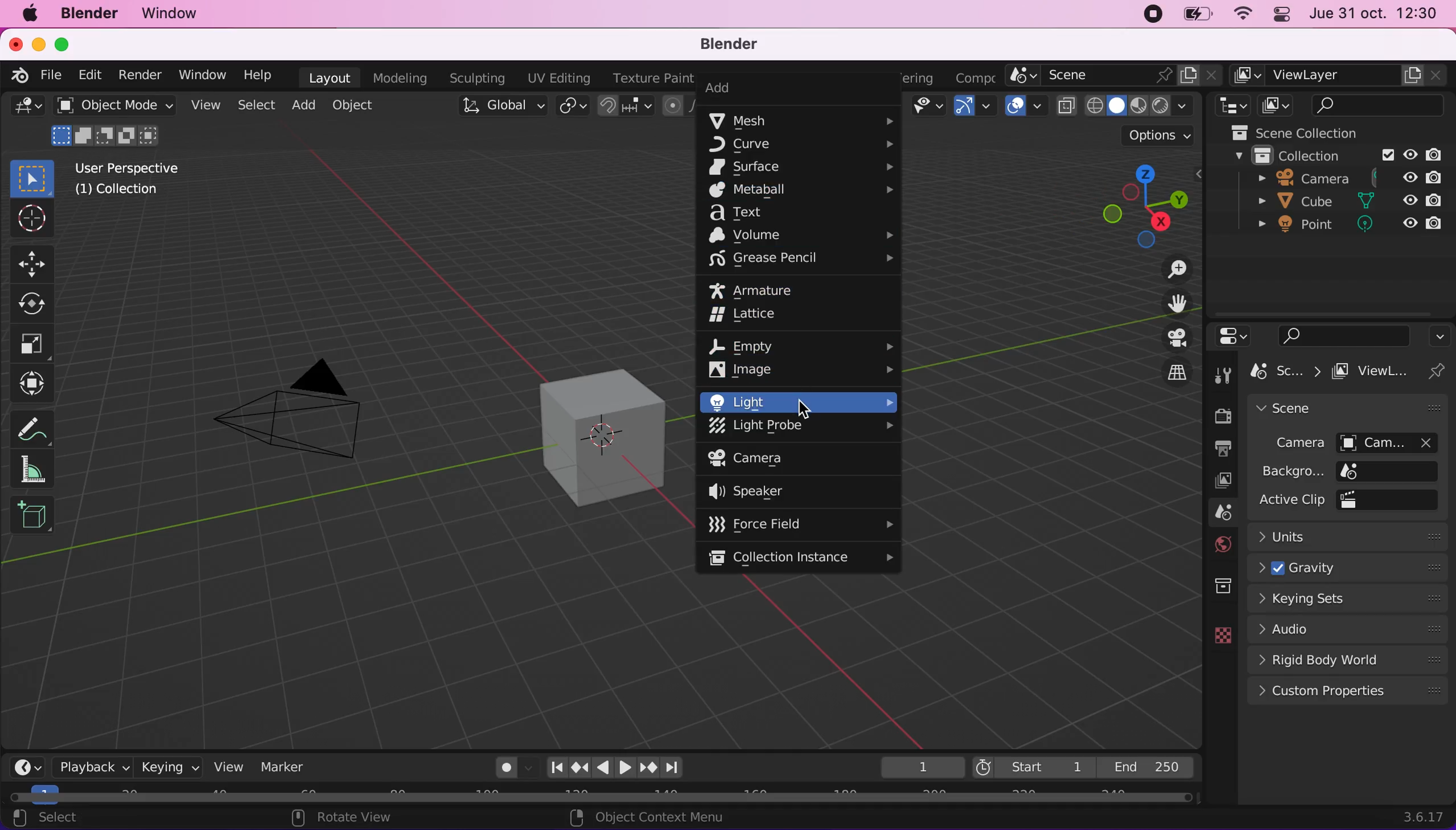  What do you see at coordinates (1351, 601) in the screenshot?
I see `keying sets` at bounding box center [1351, 601].